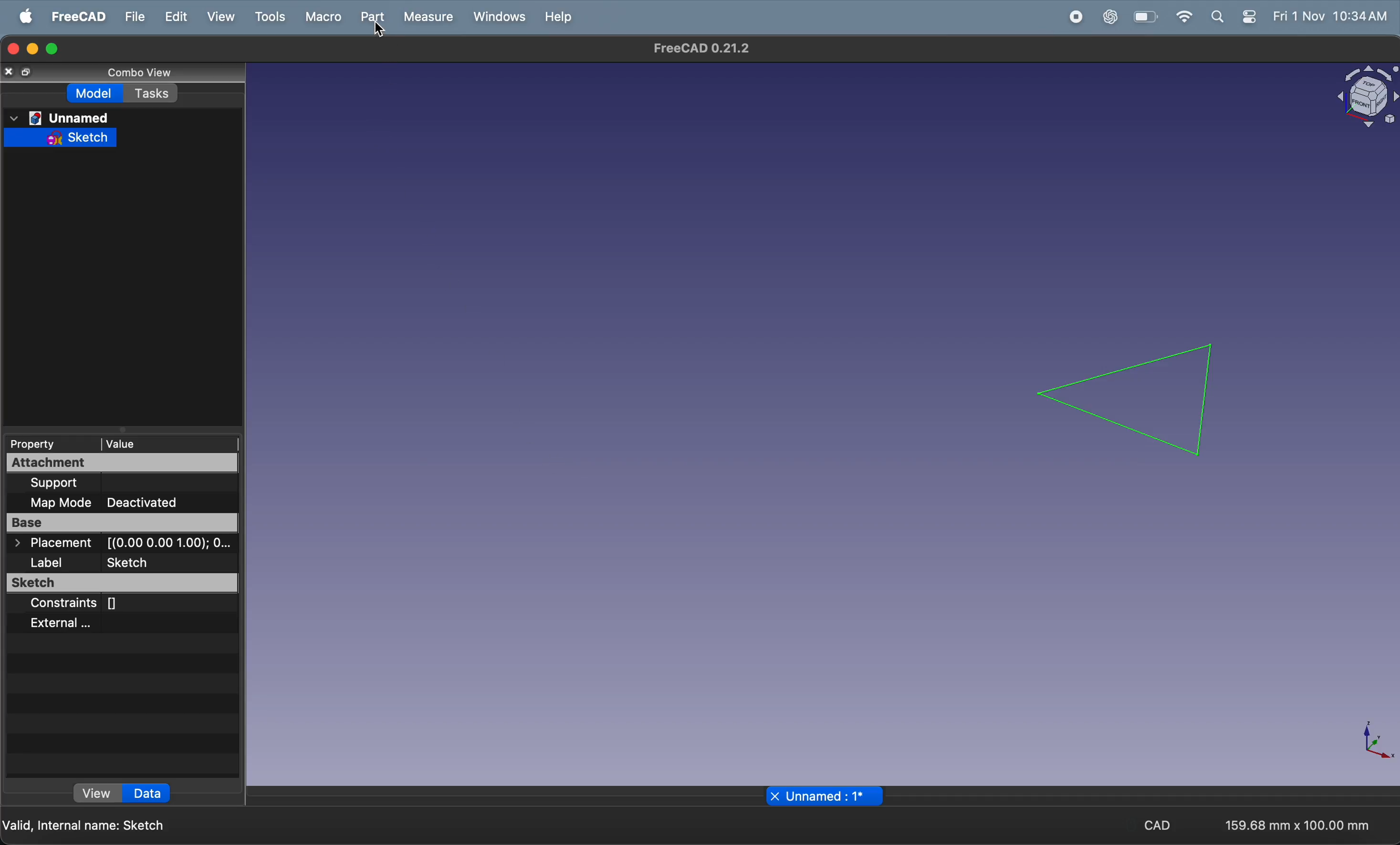  I want to click on model, so click(97, 93).